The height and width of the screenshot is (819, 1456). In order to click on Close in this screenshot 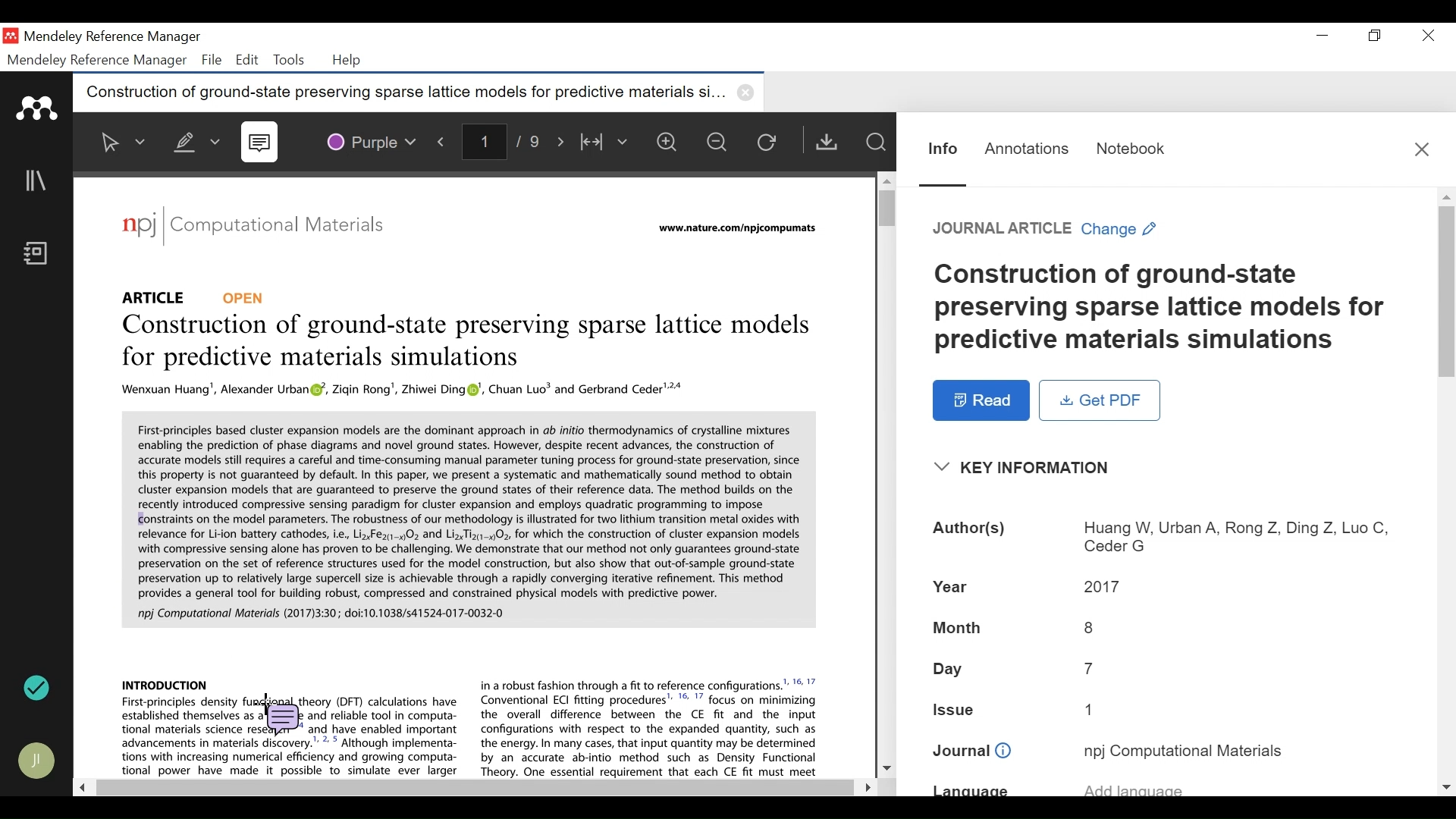, I will do `click(1429, 36)`.